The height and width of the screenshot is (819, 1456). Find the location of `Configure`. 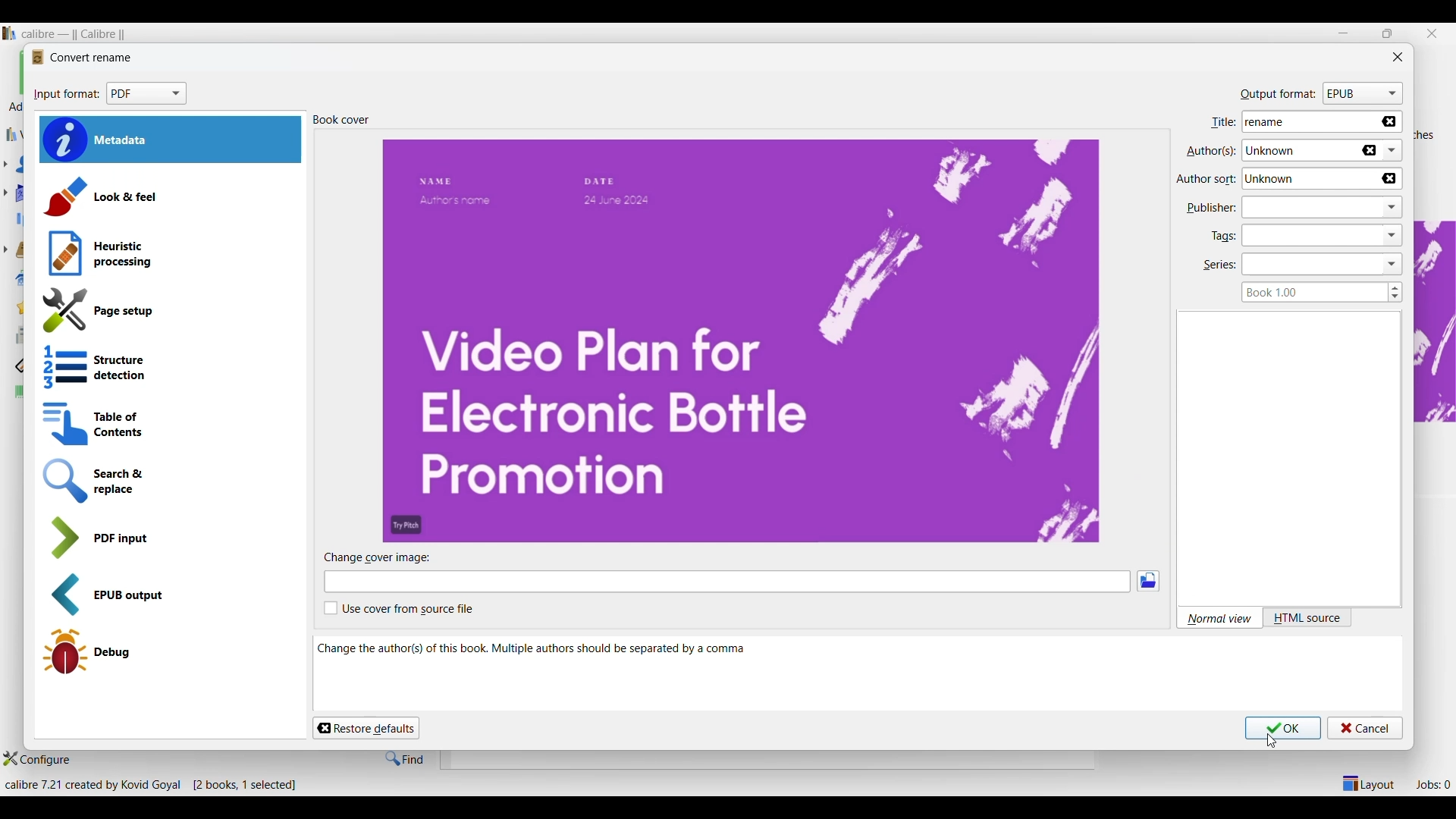

Configure is located at coordinates (37, 759).